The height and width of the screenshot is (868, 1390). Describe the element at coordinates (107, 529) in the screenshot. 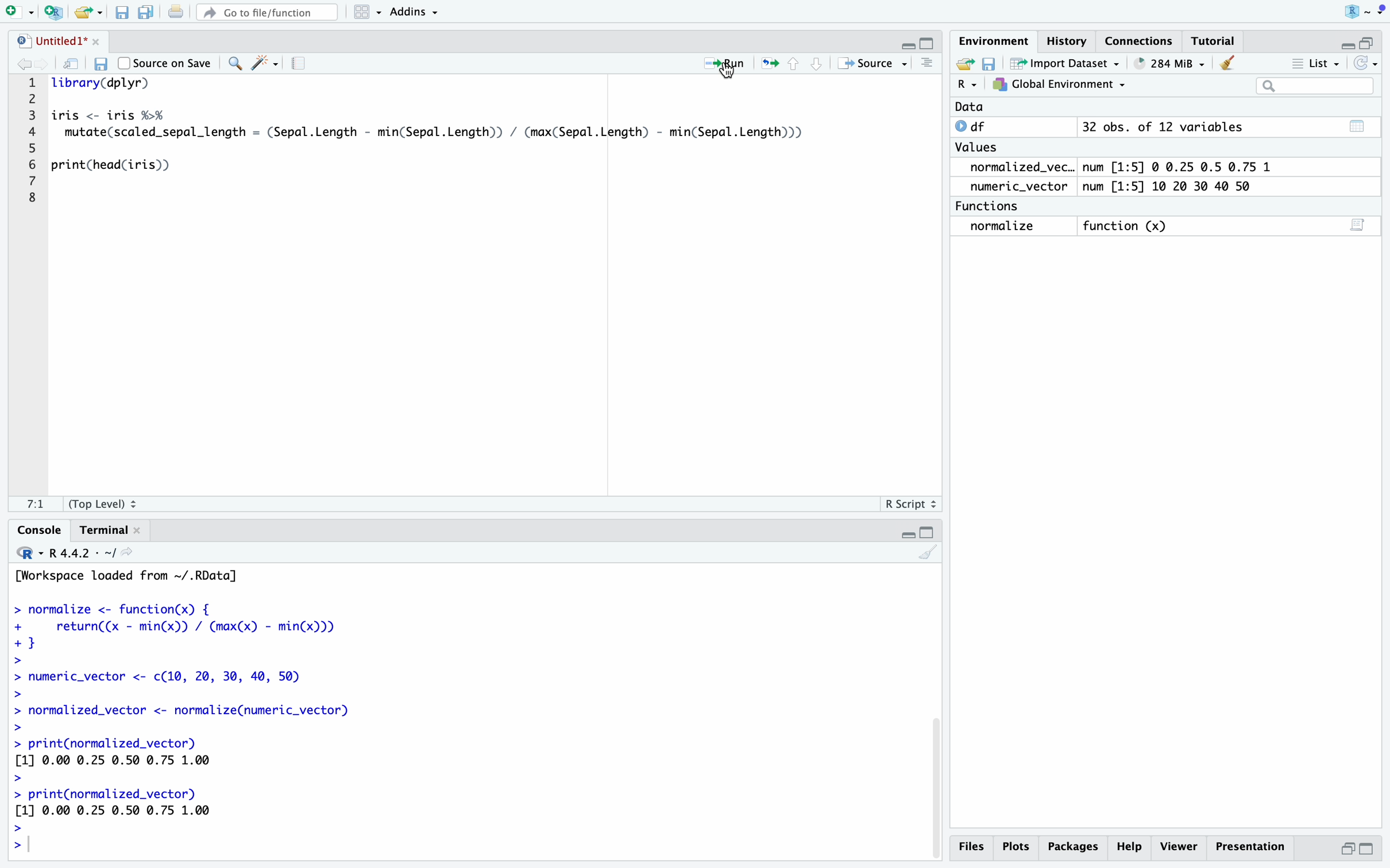

I see `Terminal` at that location.